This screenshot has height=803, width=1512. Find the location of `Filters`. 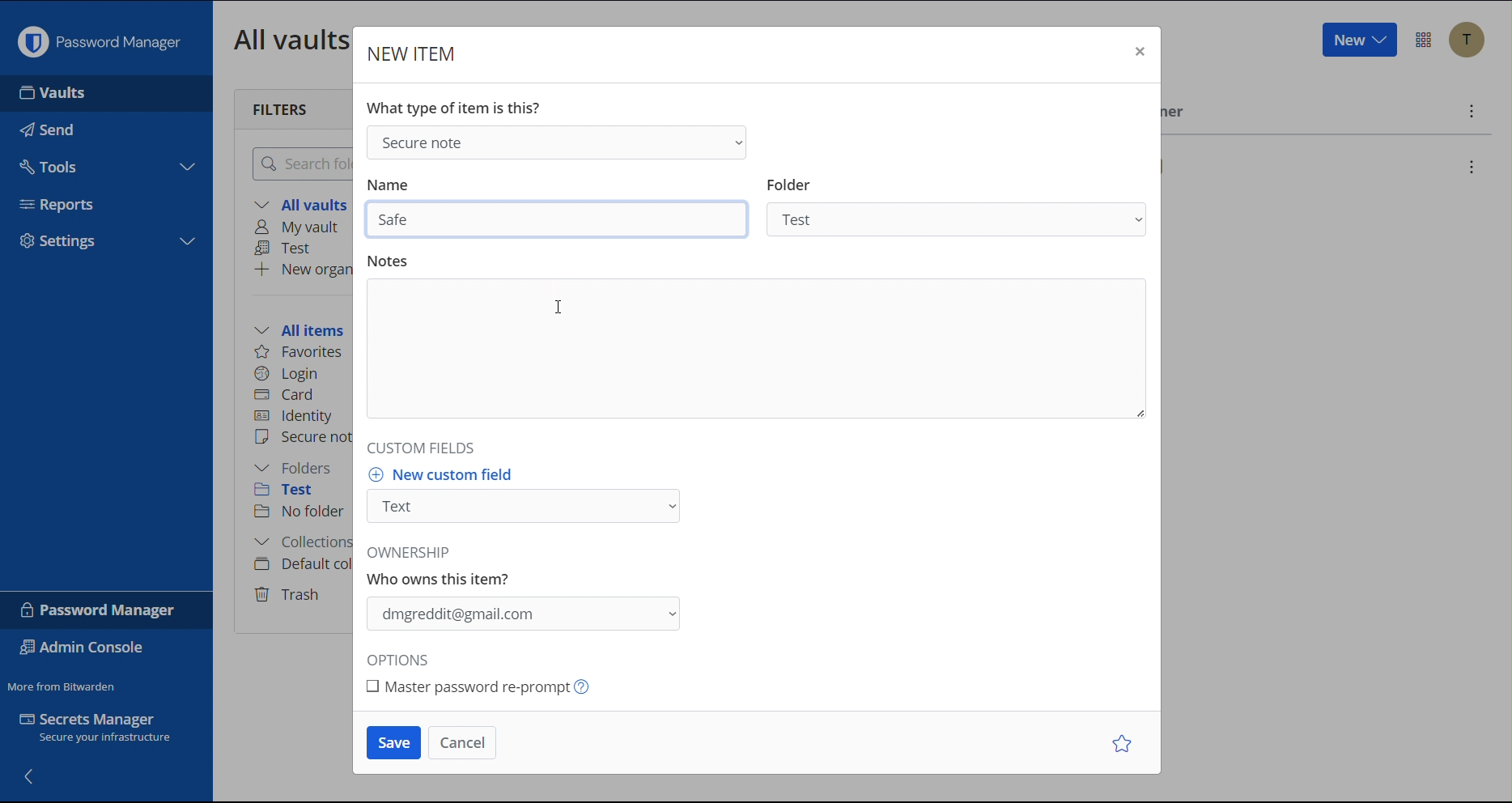

Filters is located at coordinates (282, 108).